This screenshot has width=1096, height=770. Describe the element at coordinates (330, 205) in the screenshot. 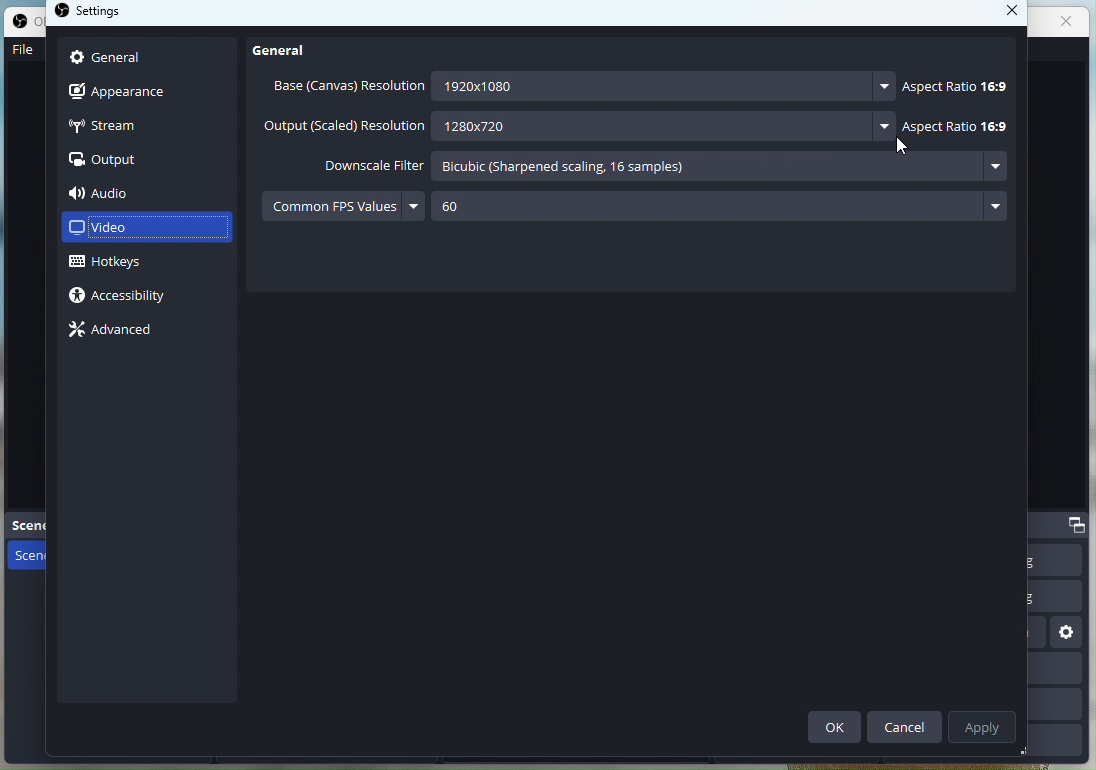

I see `Common FPS values` at that location.